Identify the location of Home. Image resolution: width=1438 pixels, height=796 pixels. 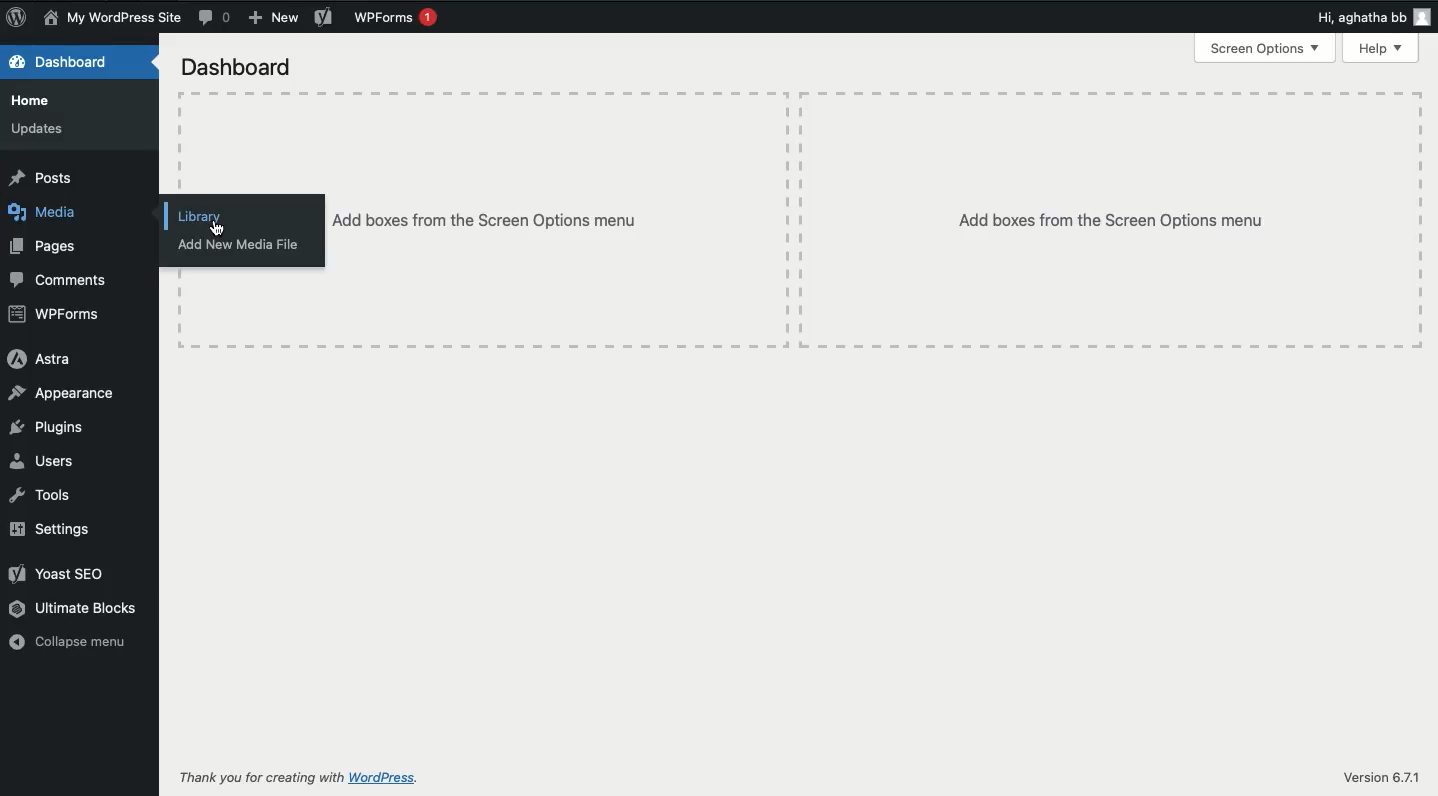
(36, 99).